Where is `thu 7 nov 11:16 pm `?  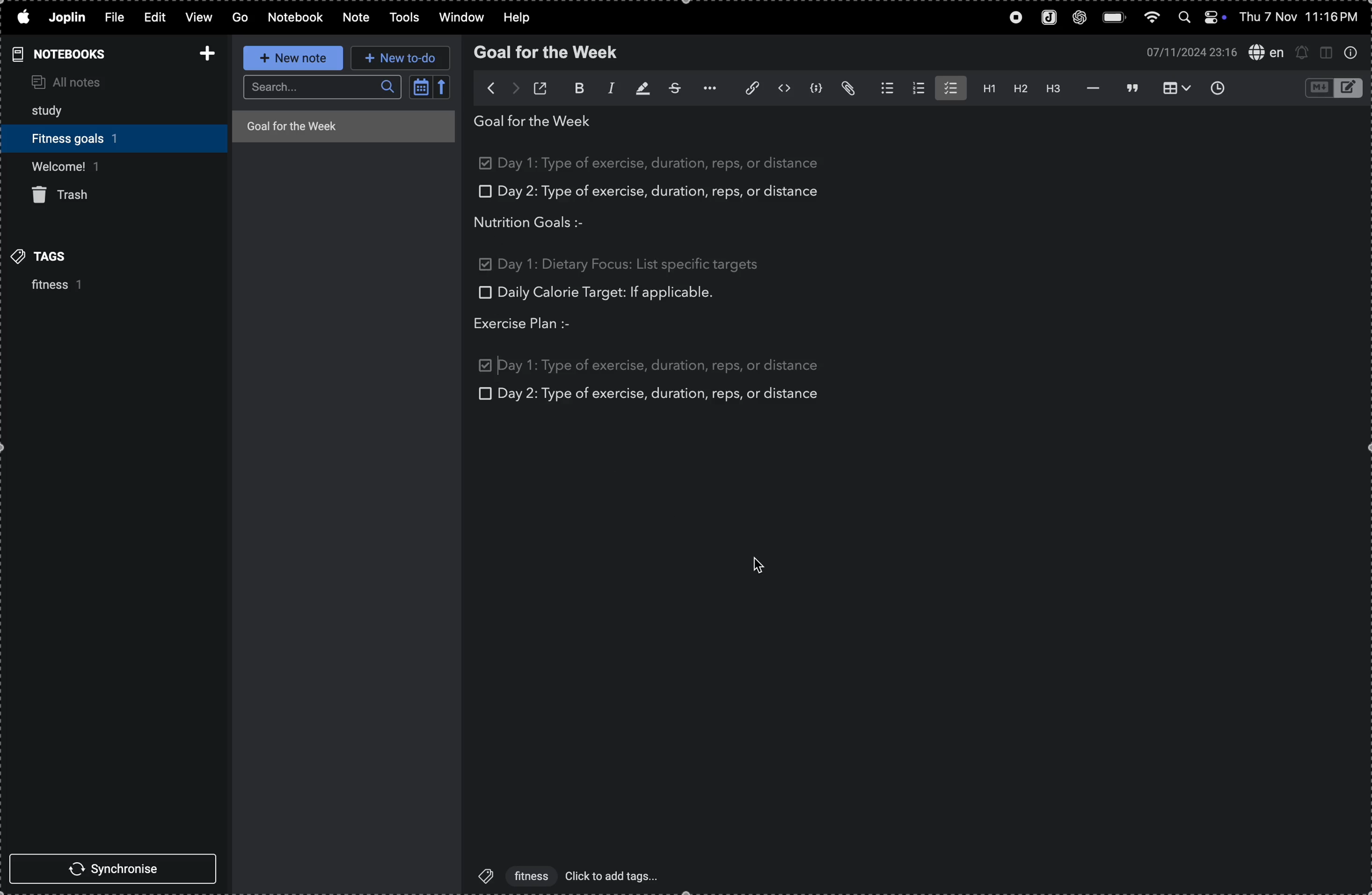
thu 7 nov 11:16 pm  is located at coordinates (1304, 17).